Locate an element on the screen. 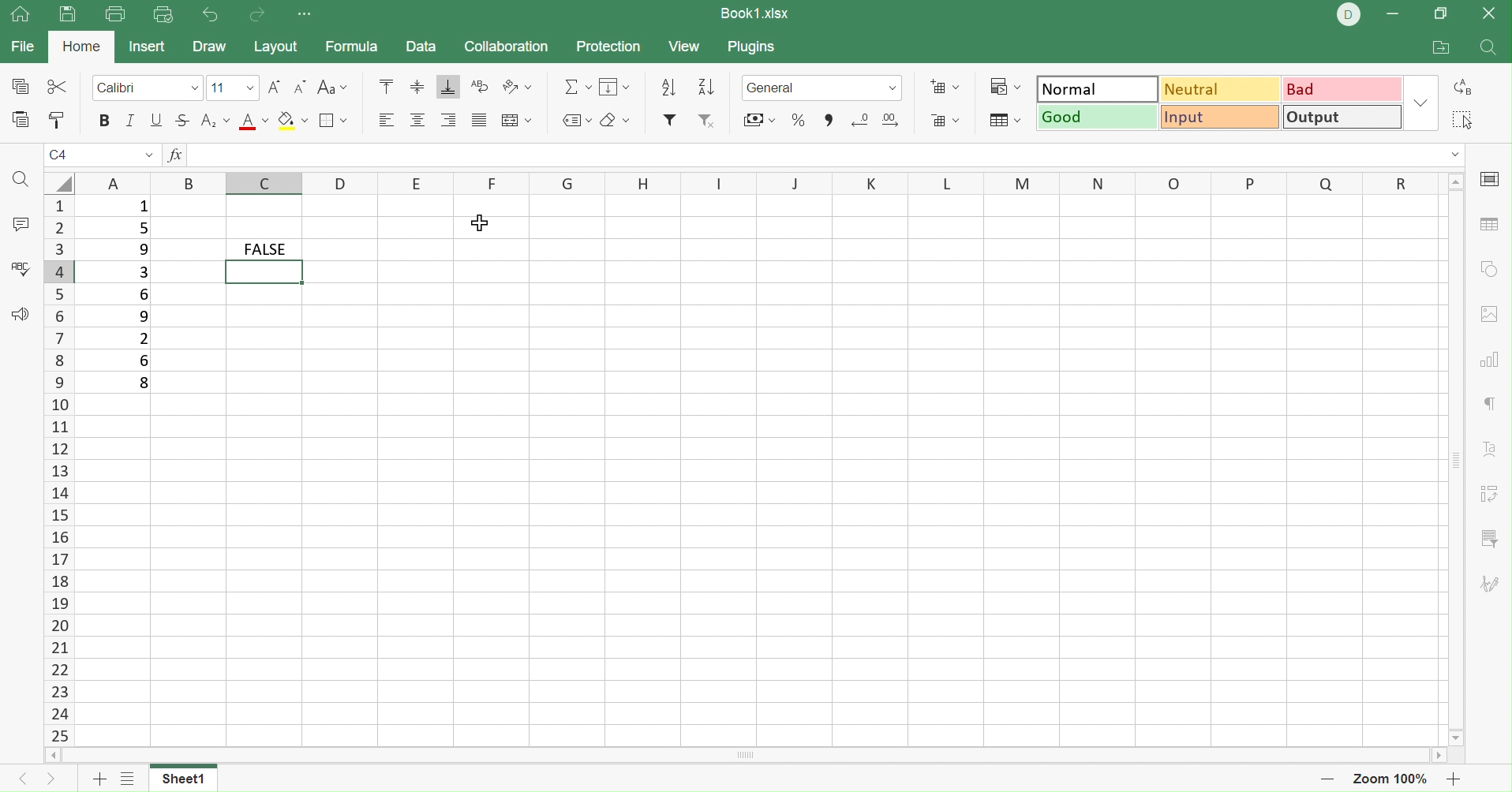 This screenshot has height=792, width=1512. Drop down is located at coordinates (1424, 104).